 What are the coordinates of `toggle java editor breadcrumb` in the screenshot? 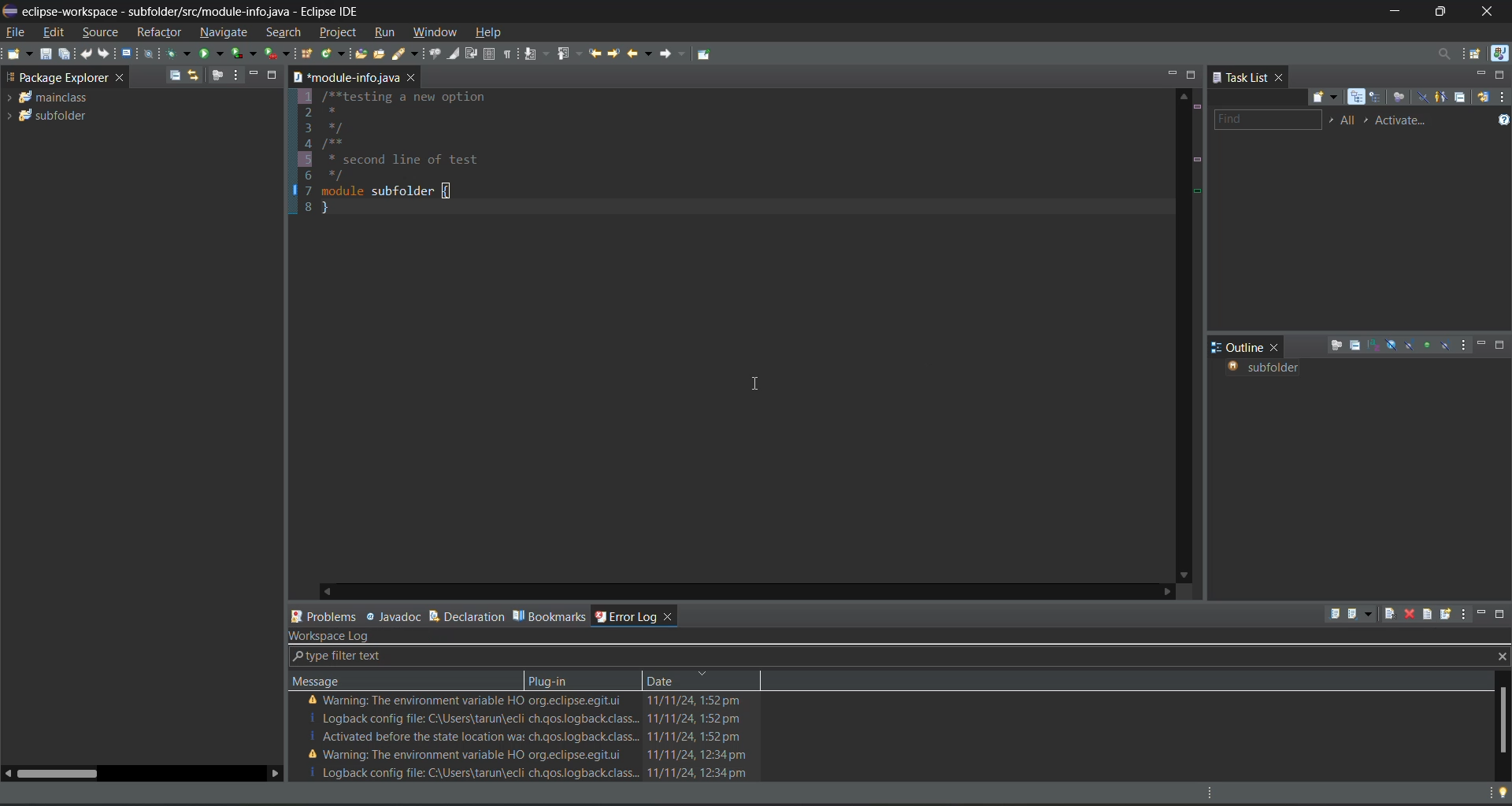 It's located at (434, 55).